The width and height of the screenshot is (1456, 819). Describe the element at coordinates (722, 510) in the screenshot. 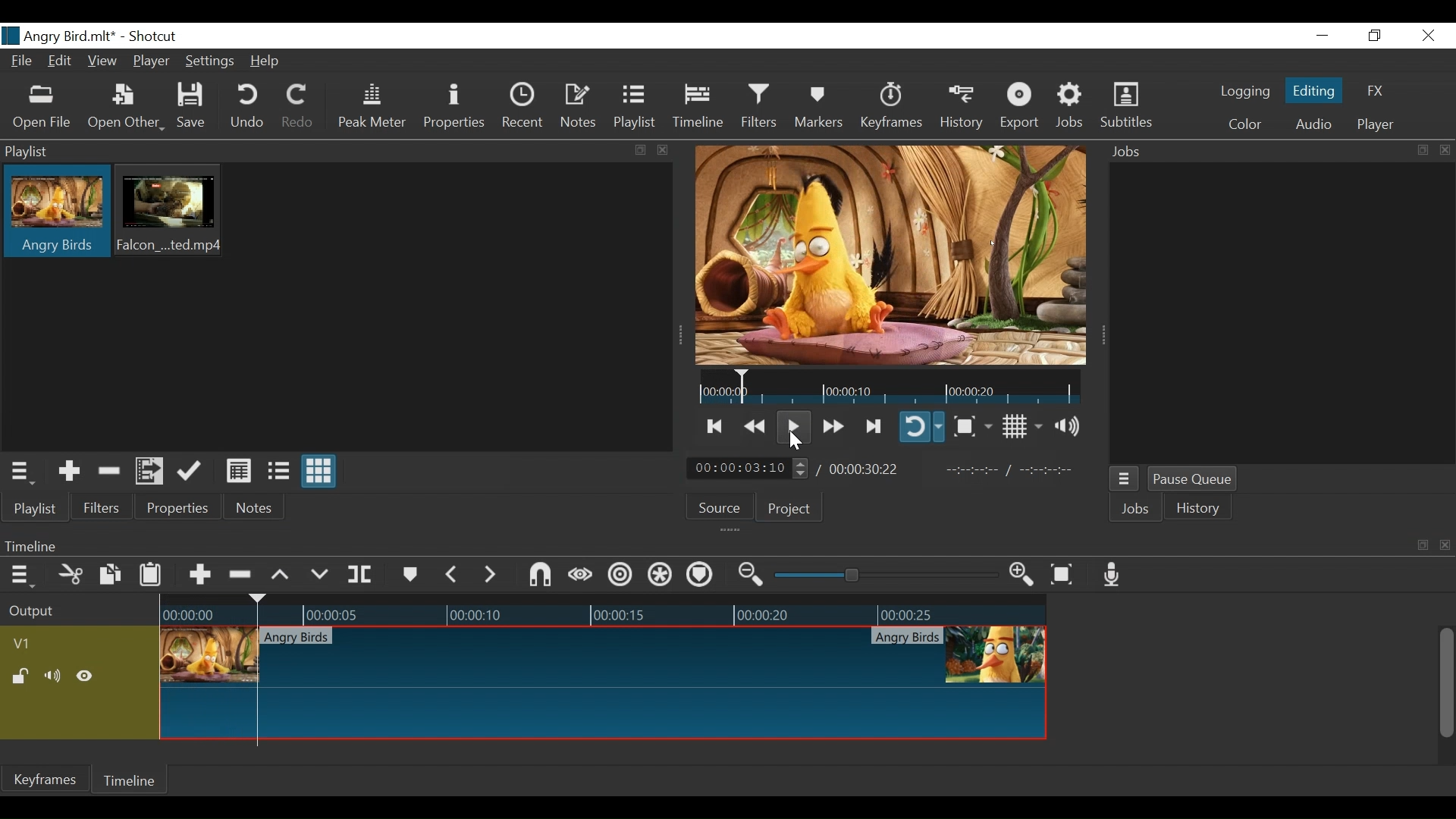

I see `Source` at that location.